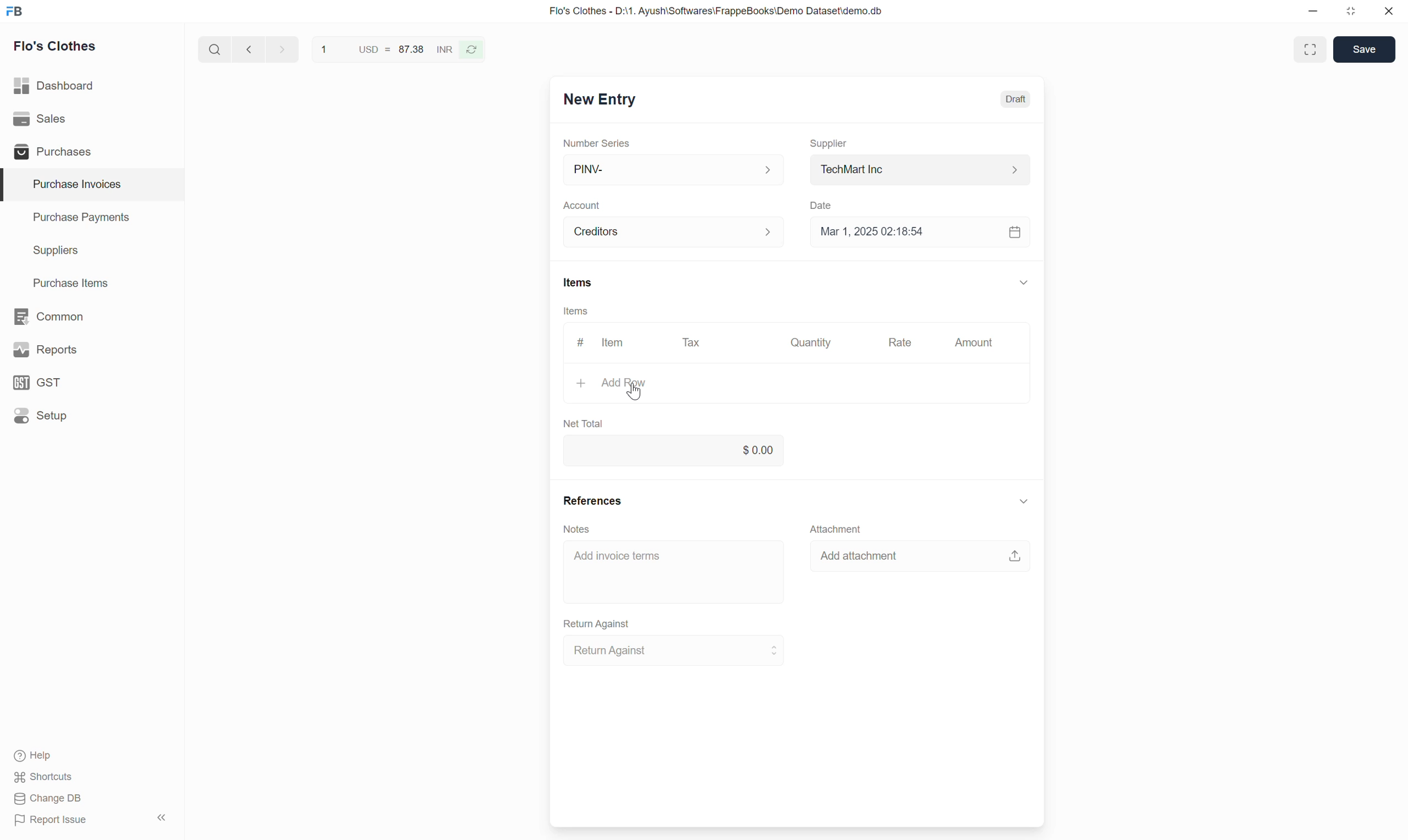  I want to click on Collapse, so click(1024, 282).